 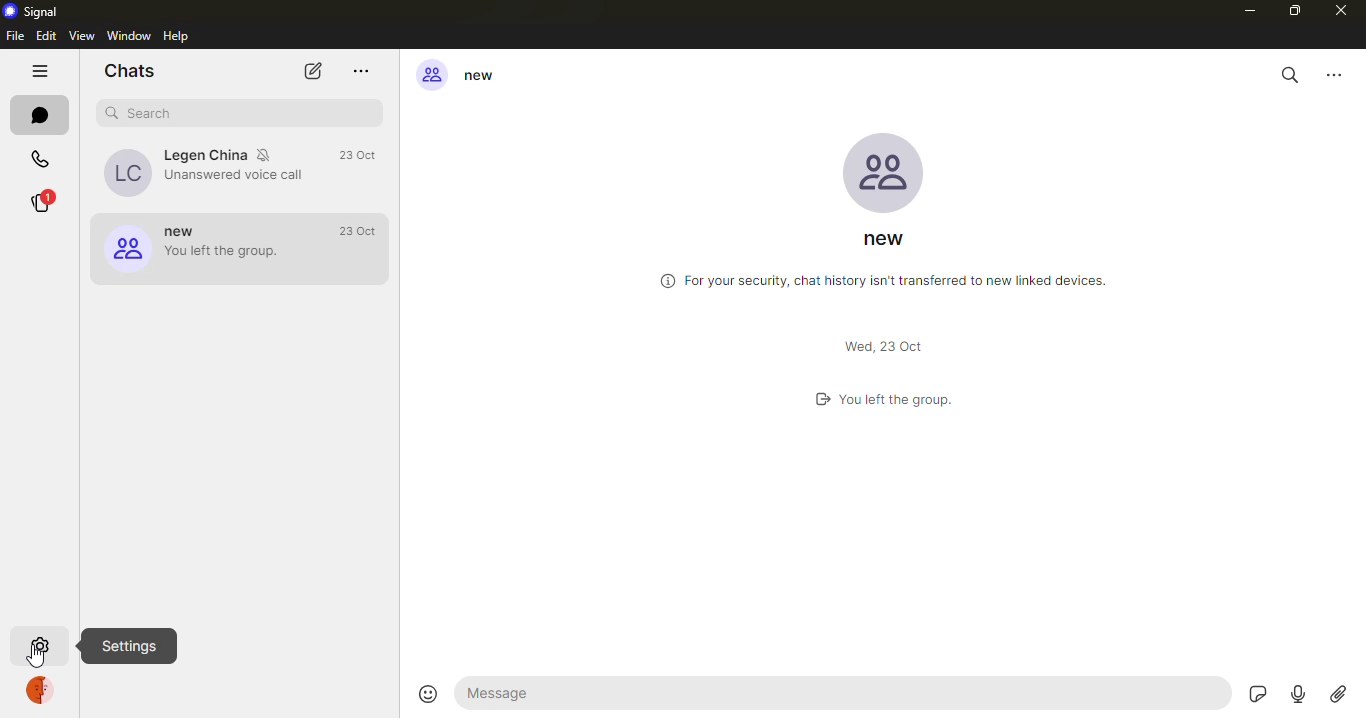 I want to click on more, so click(x=359, y=68).